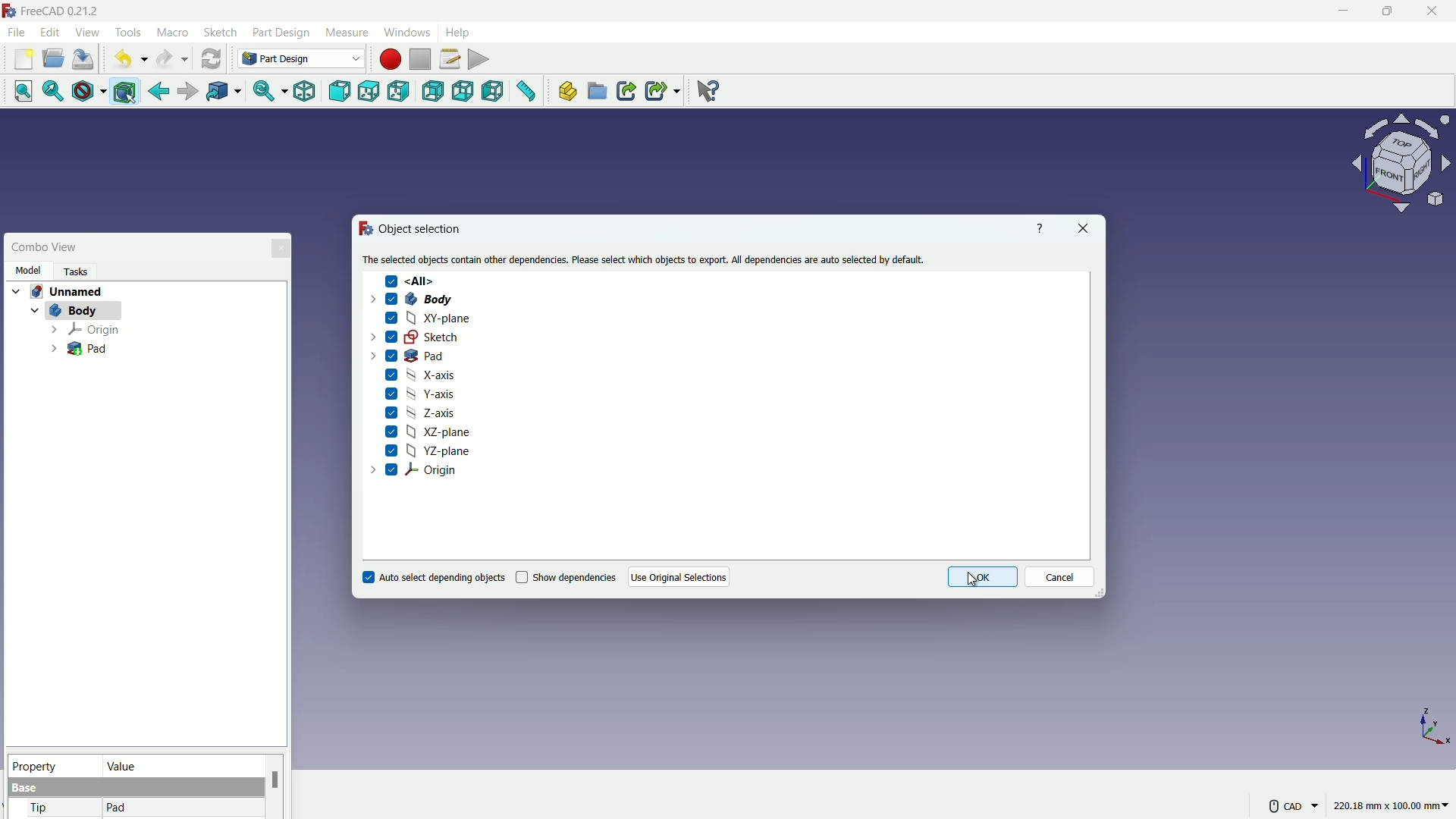 The image size is (1456, 819). What do you see at coordinates (172, 59) in the screenshot?
I see `redo` at bounding box center [172, 59].